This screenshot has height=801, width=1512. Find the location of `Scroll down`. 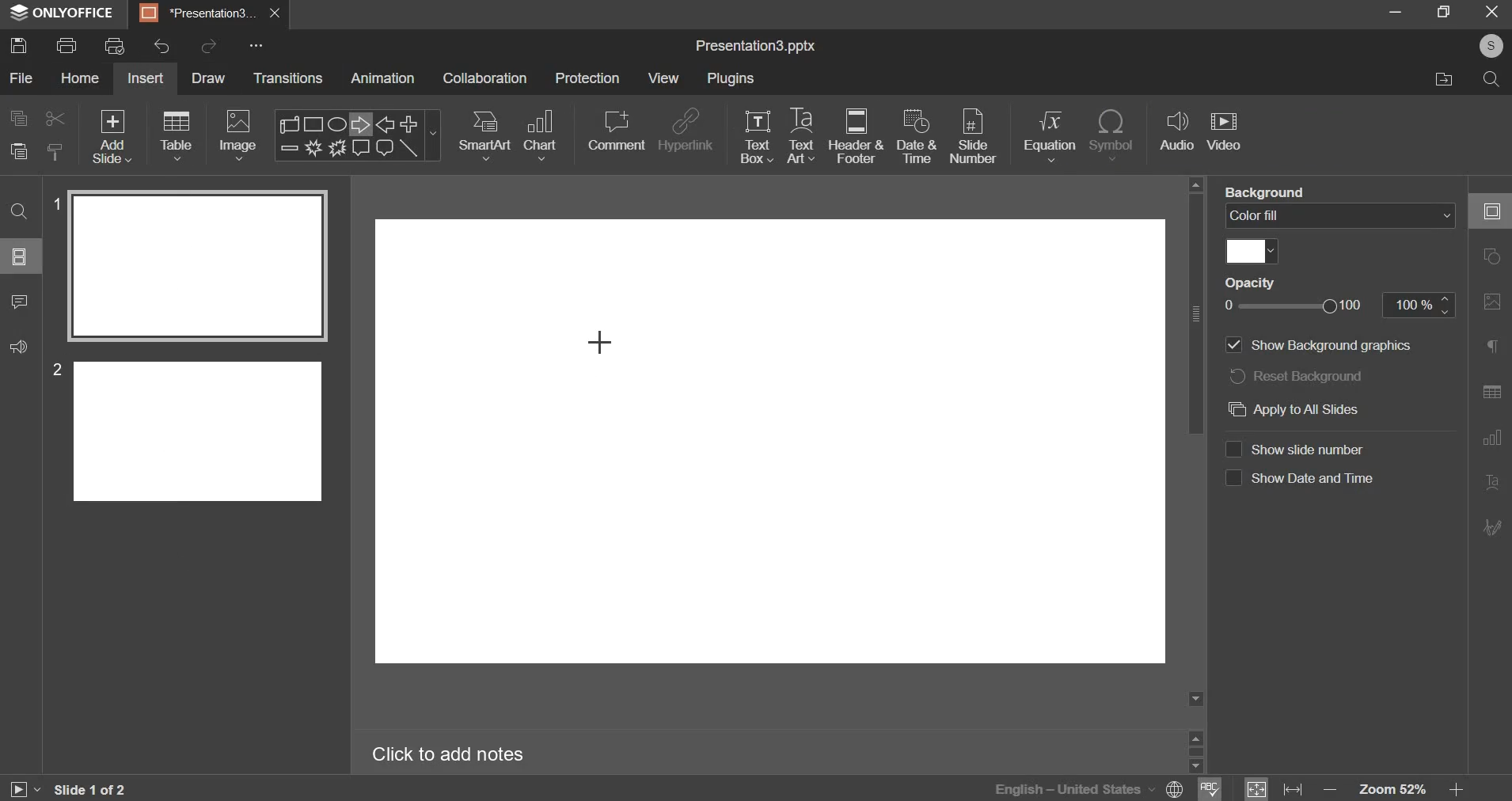

Scroll down is located at coordinates (1195, 699).